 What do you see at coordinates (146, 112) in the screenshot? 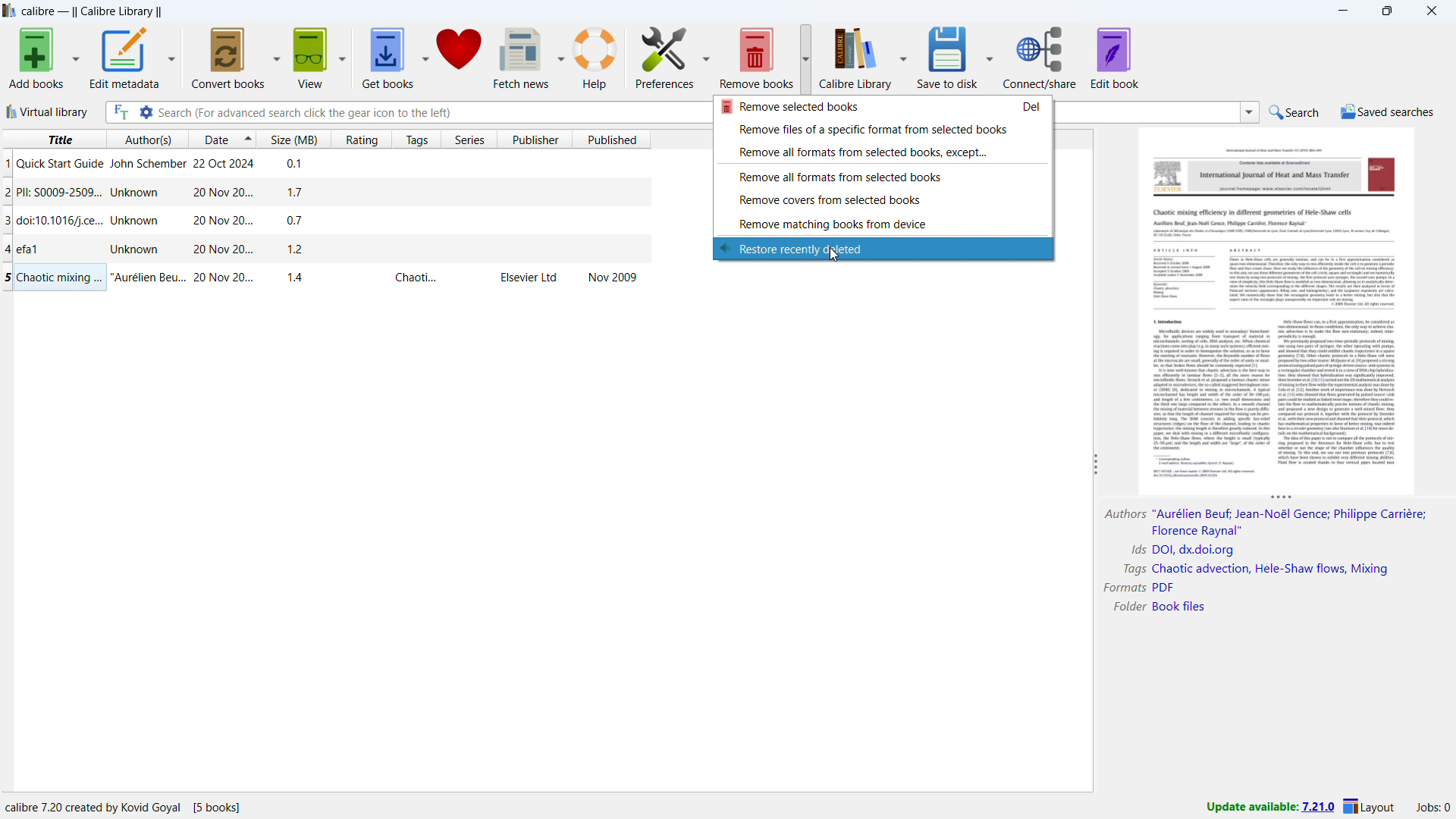
I see `advanced search` at bounding box center [146, 112].